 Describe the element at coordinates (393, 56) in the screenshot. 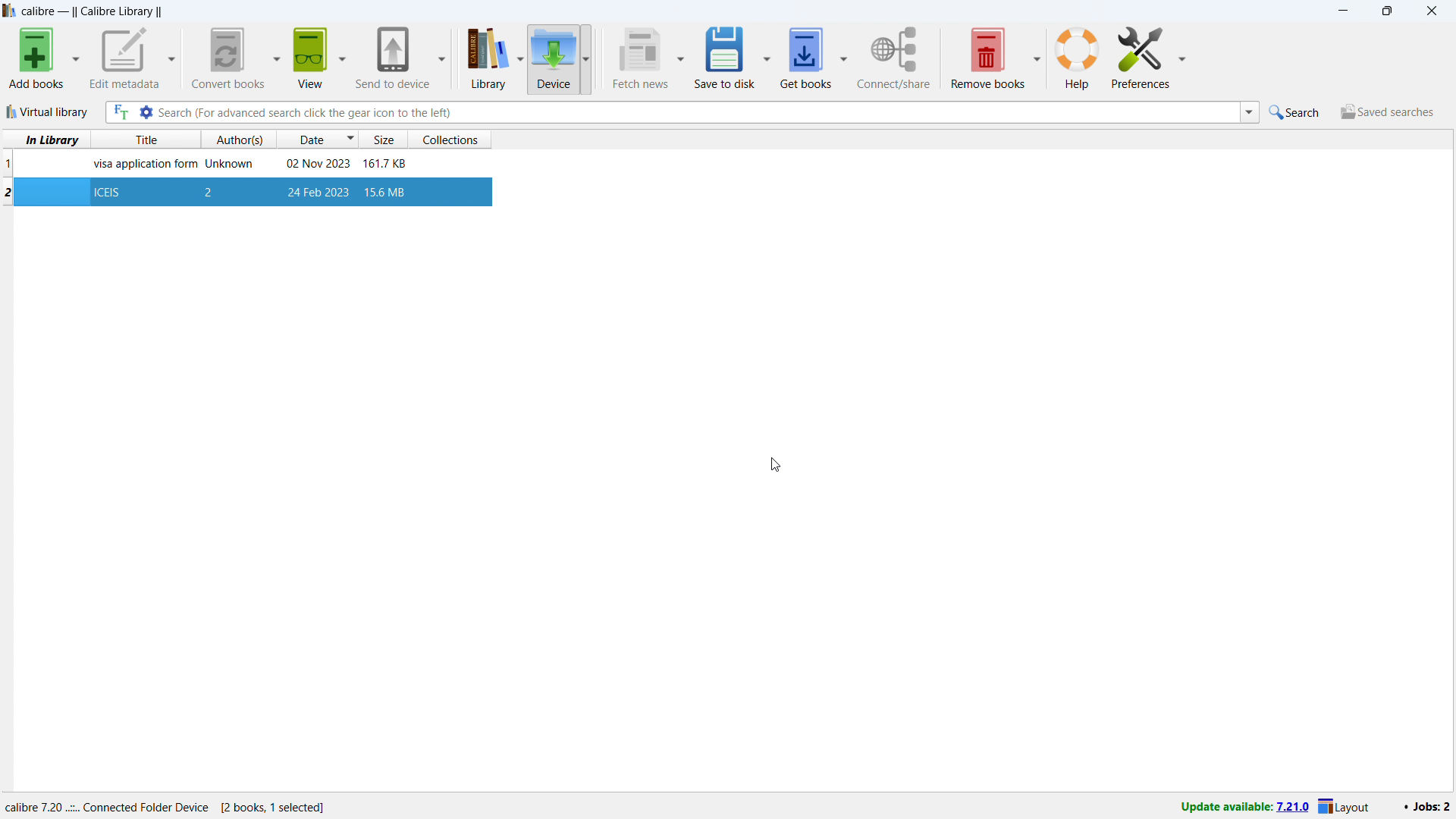

I see `send to device` at that location.